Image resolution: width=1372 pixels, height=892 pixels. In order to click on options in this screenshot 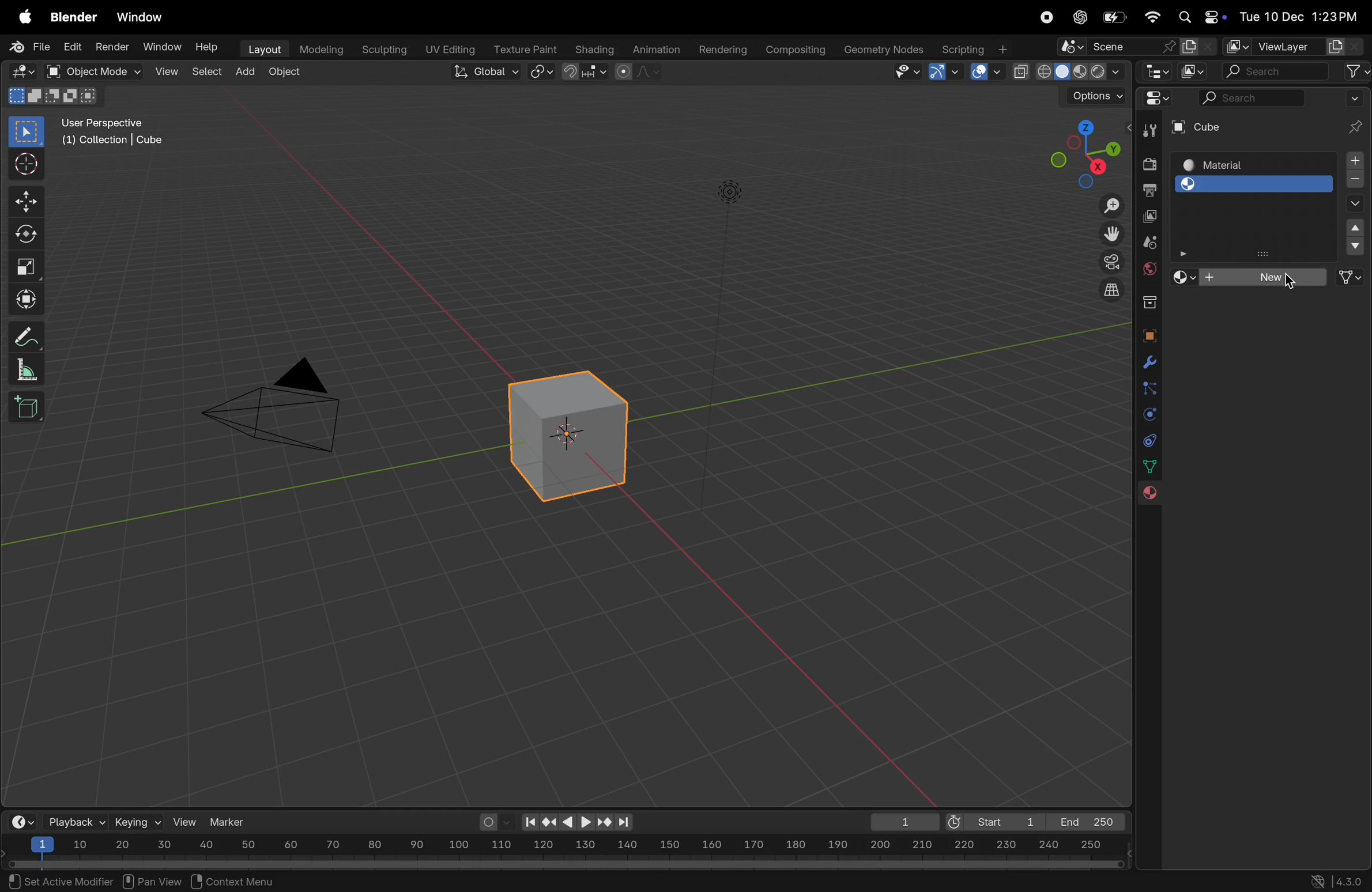, I will do `click(1088, 96)`.